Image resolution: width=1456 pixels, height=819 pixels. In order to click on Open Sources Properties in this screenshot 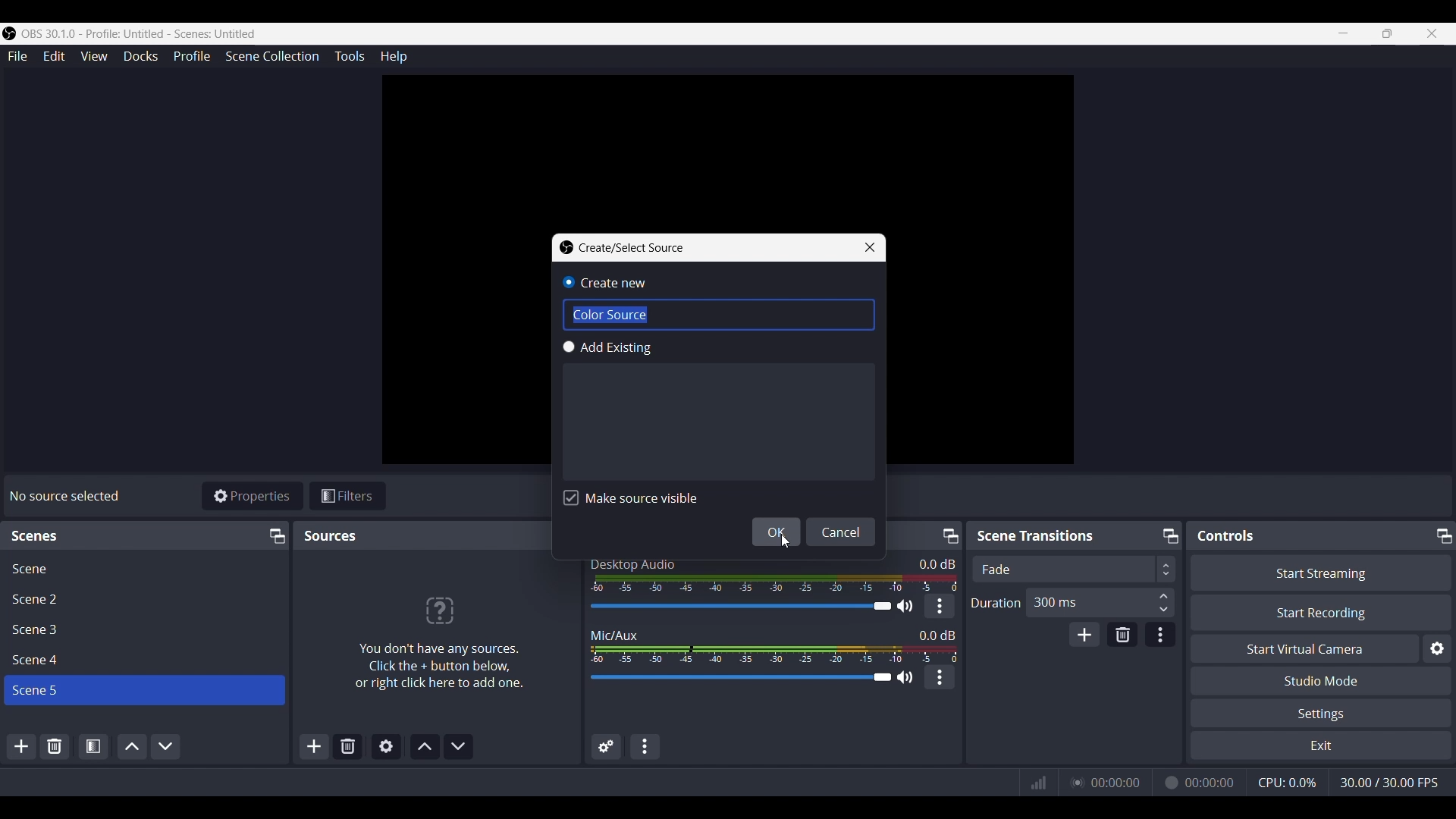, I will do `click(386, 745)`.